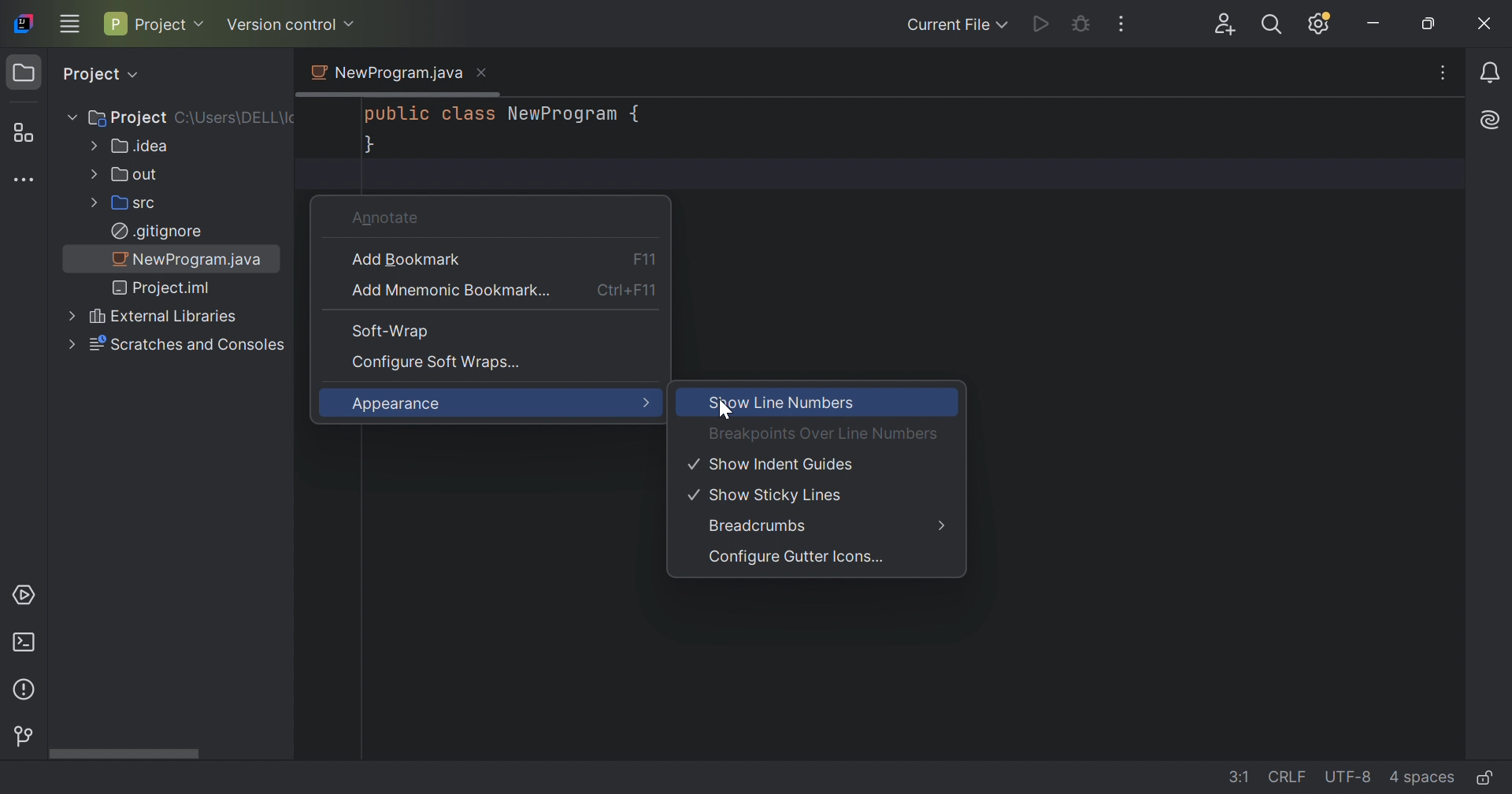 The width and height of the screenshot is (1512, 794). What do you see at coordinates (165, 288) in the screenshot?
I see `Project.iml` at bounding box center [165, 288].